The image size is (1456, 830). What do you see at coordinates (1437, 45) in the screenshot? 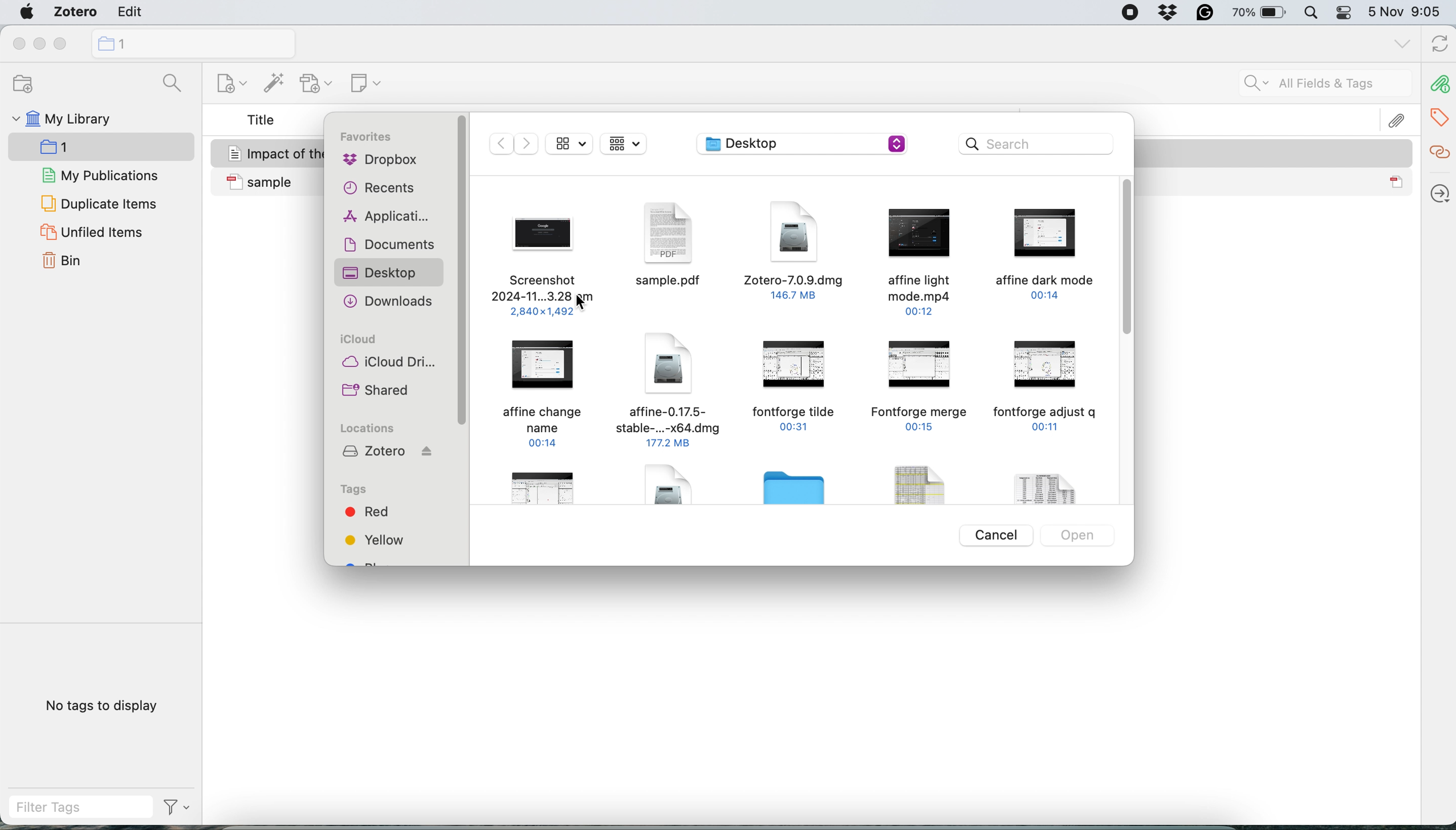
I see `refresh` at bounding box center [1437, 45].